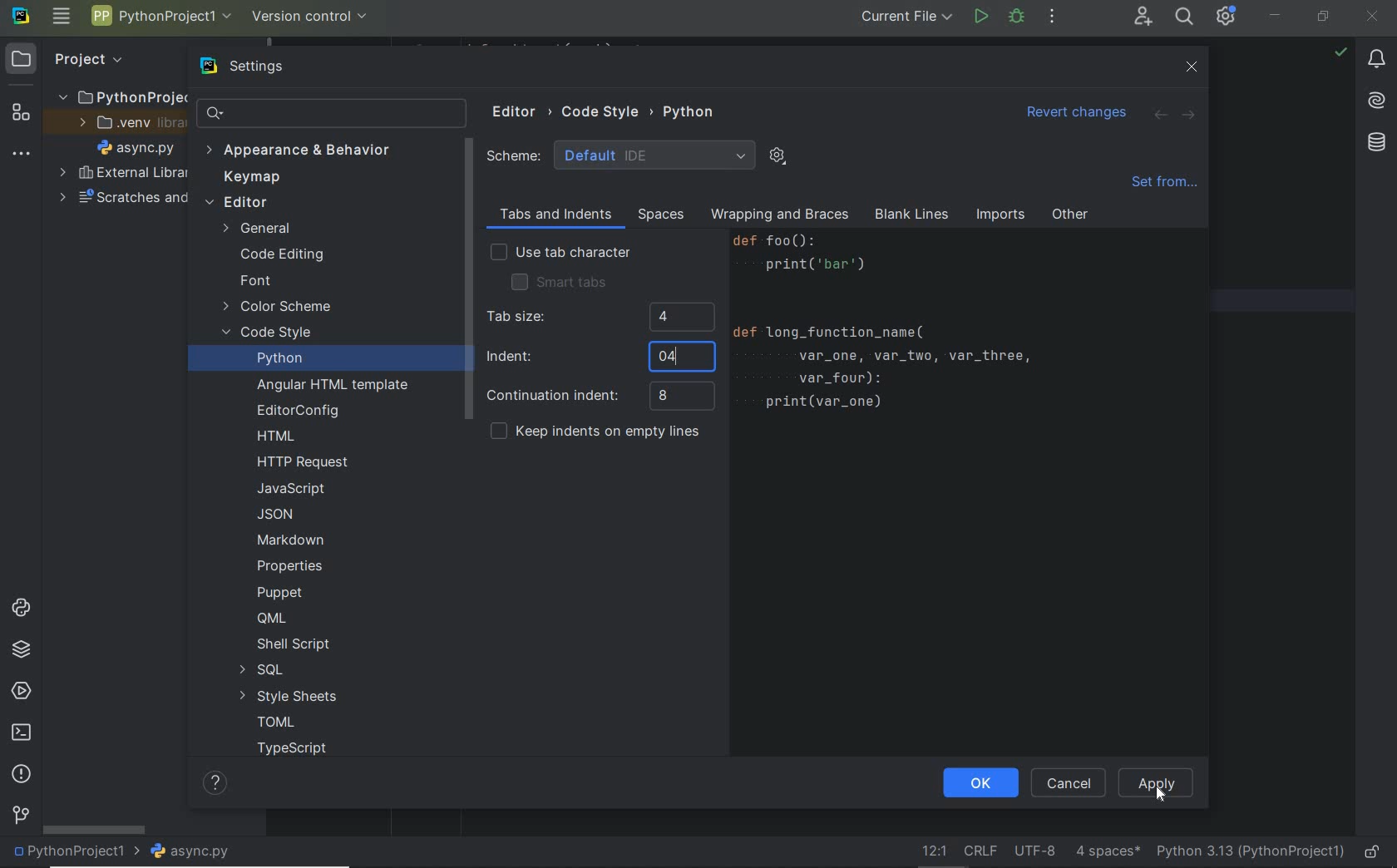 This screenshot has height=868, width=1397. Describe the element at coordinates (117, 96) in the screenshot. I see `Project folder` at that location.